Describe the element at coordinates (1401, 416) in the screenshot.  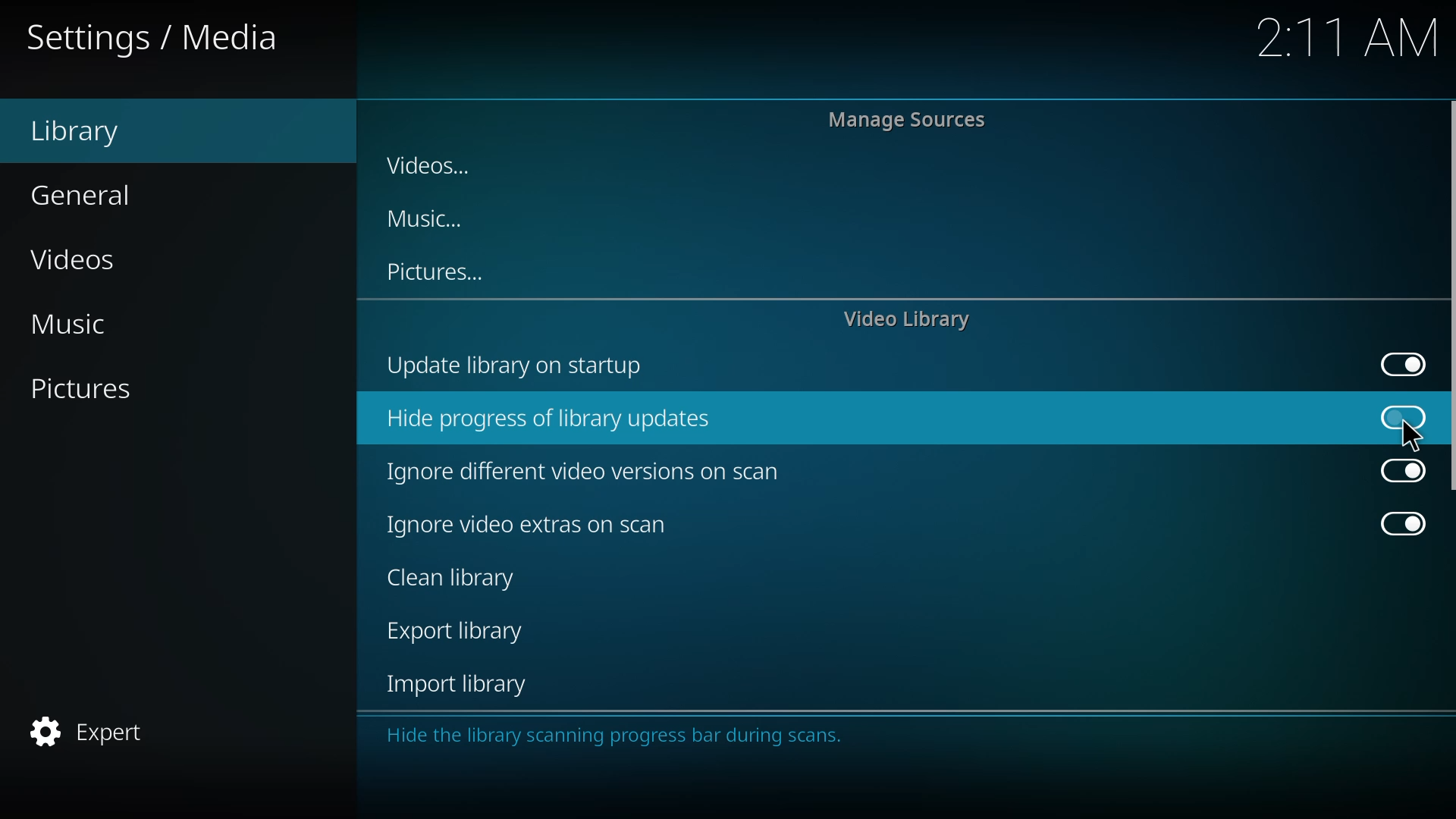
I see `click to enable` at that location.